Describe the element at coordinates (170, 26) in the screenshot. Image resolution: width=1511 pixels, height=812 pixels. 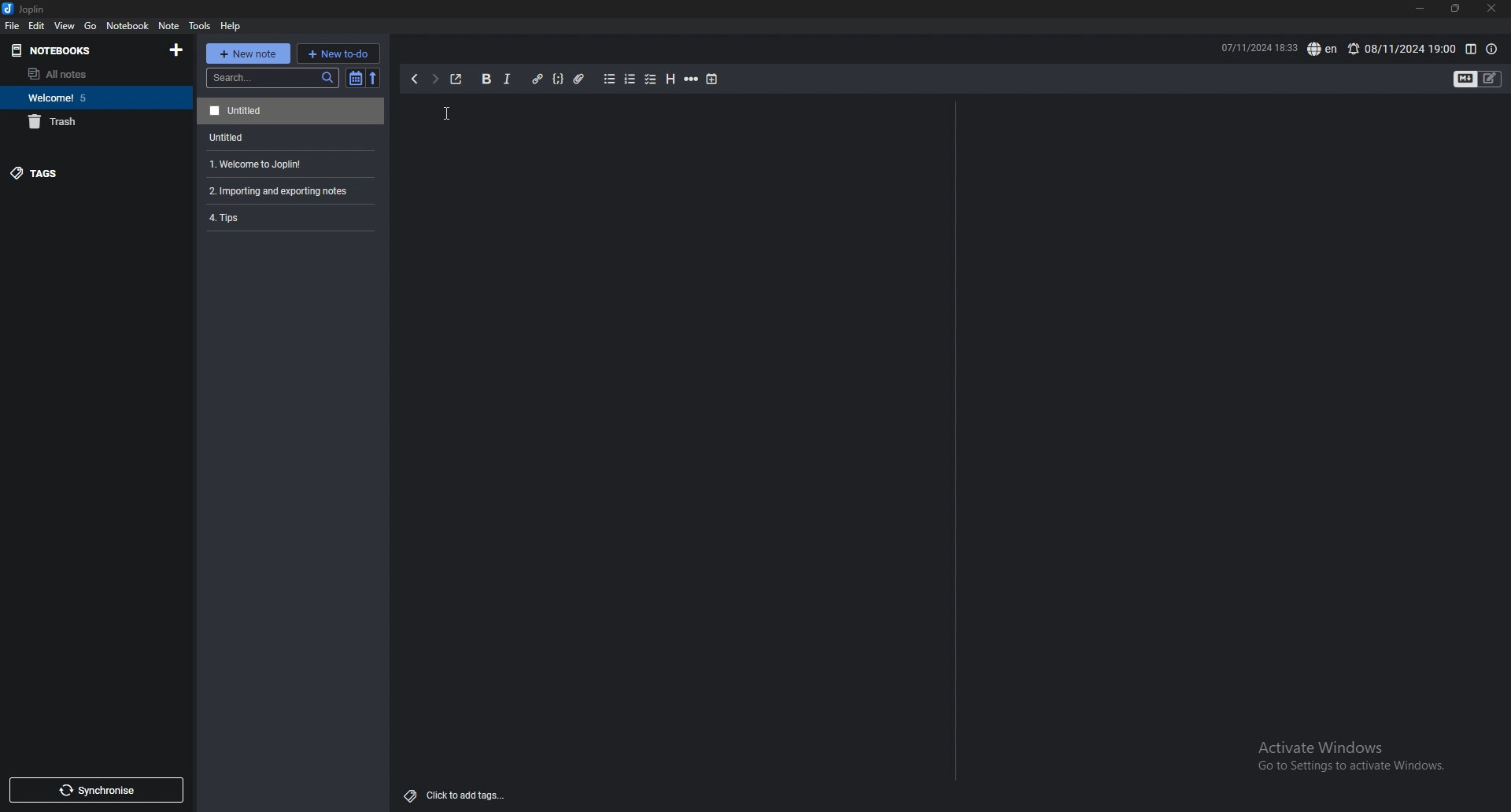
I see `note` at that location.